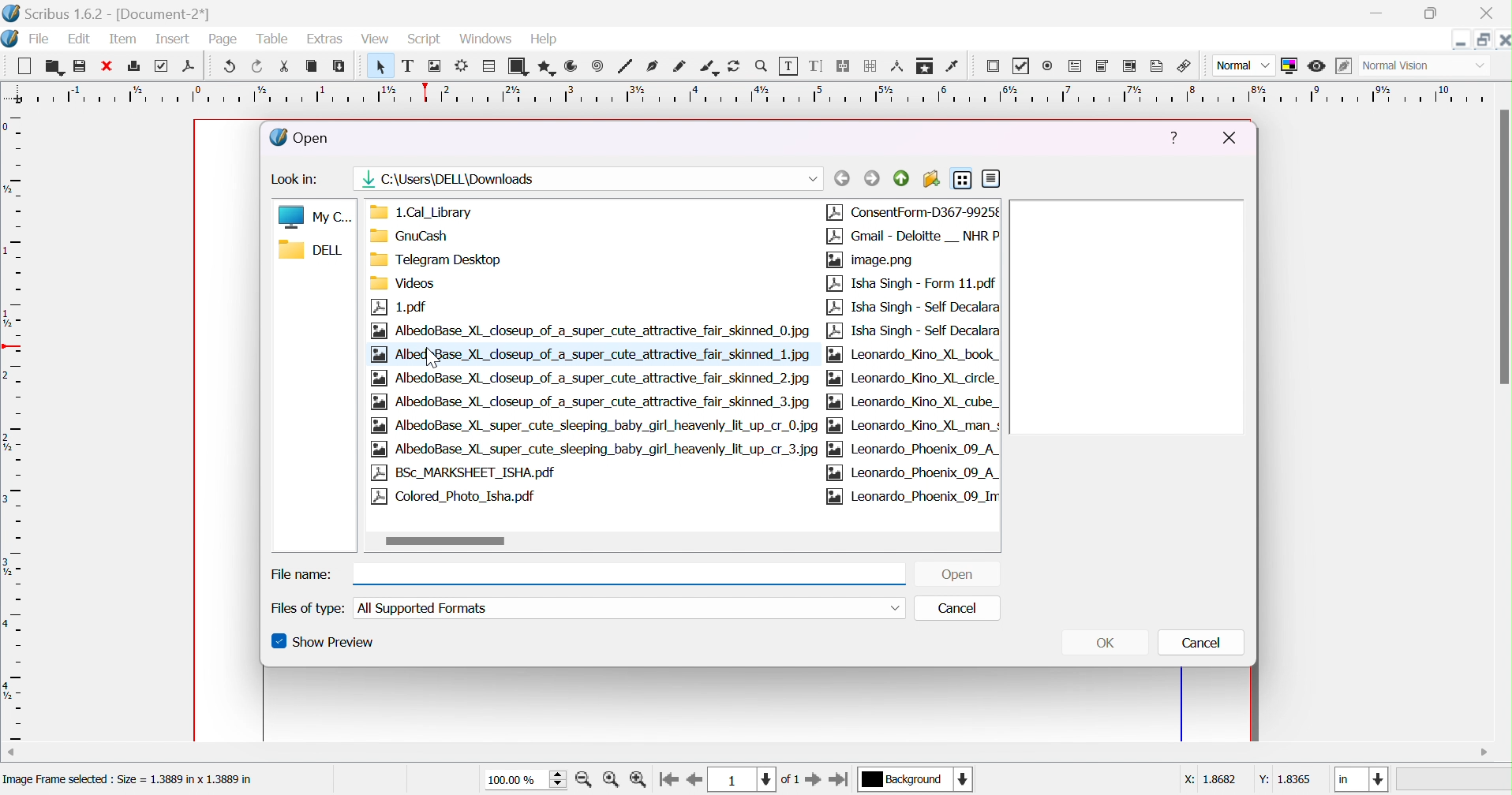 The height and width of the screenshot is (795, 1512). What do you see at coordinates (1503, 38) in the screenshot?
I see `close` at bounding box center [1503, 38].